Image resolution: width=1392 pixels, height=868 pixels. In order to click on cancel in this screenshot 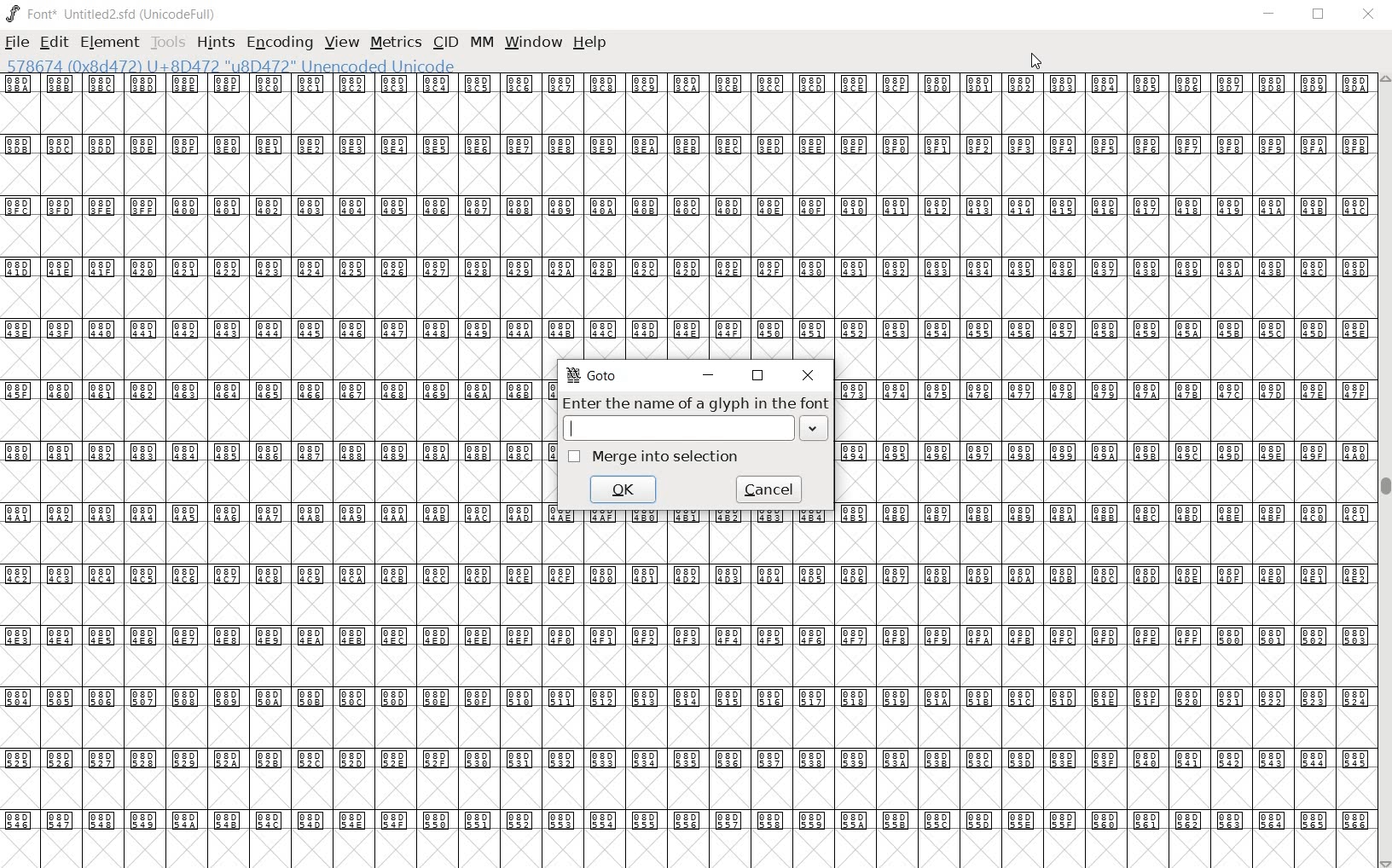, I will do `click(771, 488)`.